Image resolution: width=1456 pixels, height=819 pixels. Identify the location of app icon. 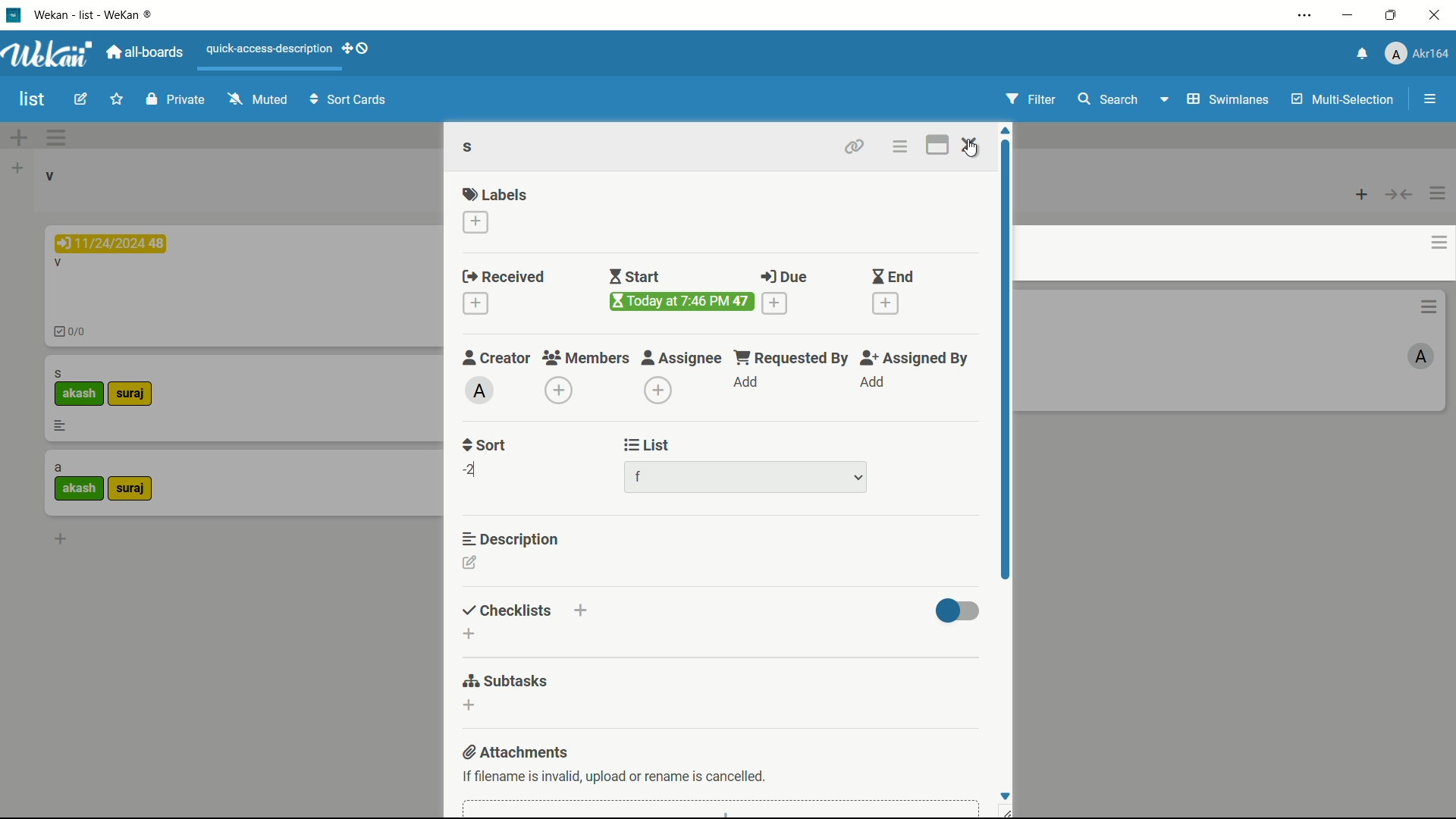
(15, 15).